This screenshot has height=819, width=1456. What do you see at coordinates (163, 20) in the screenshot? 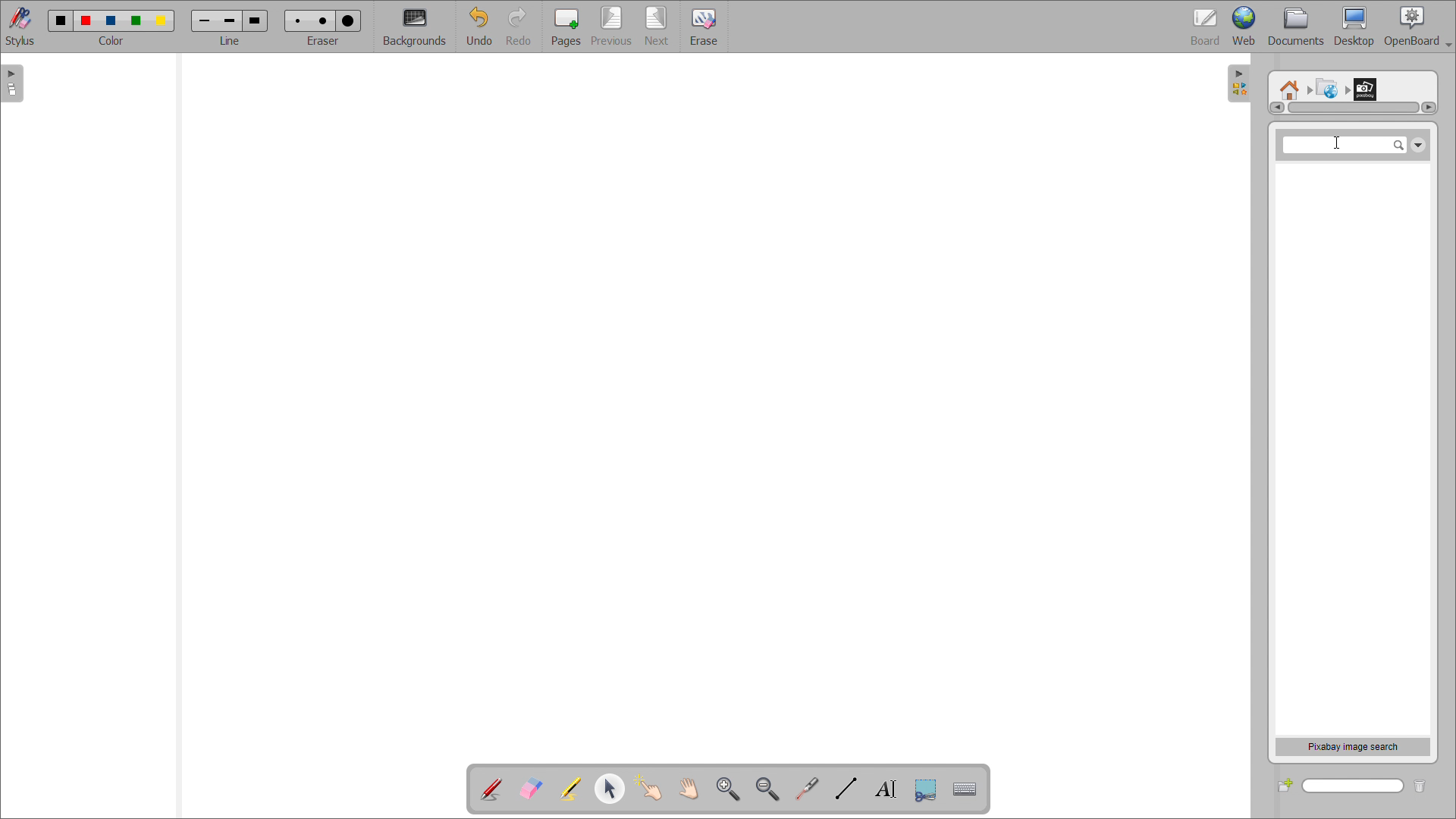
I see `Color 5` at bounding box center [163, 20].